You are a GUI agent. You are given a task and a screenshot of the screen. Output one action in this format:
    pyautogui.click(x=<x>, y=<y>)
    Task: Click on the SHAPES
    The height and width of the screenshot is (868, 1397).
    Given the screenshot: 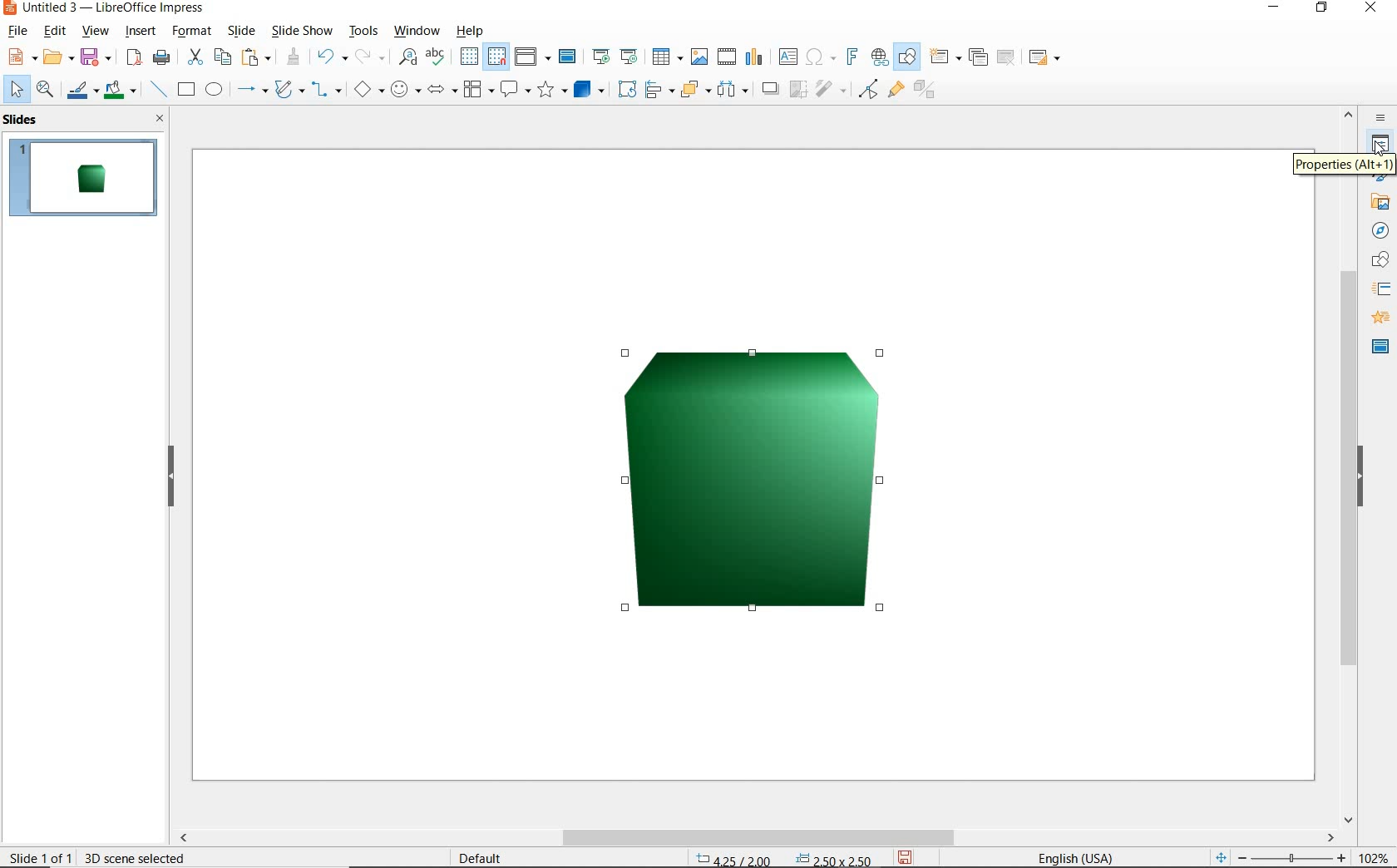 What is the action you would take?
    pyautogui.click(x=1378, y=260)
    